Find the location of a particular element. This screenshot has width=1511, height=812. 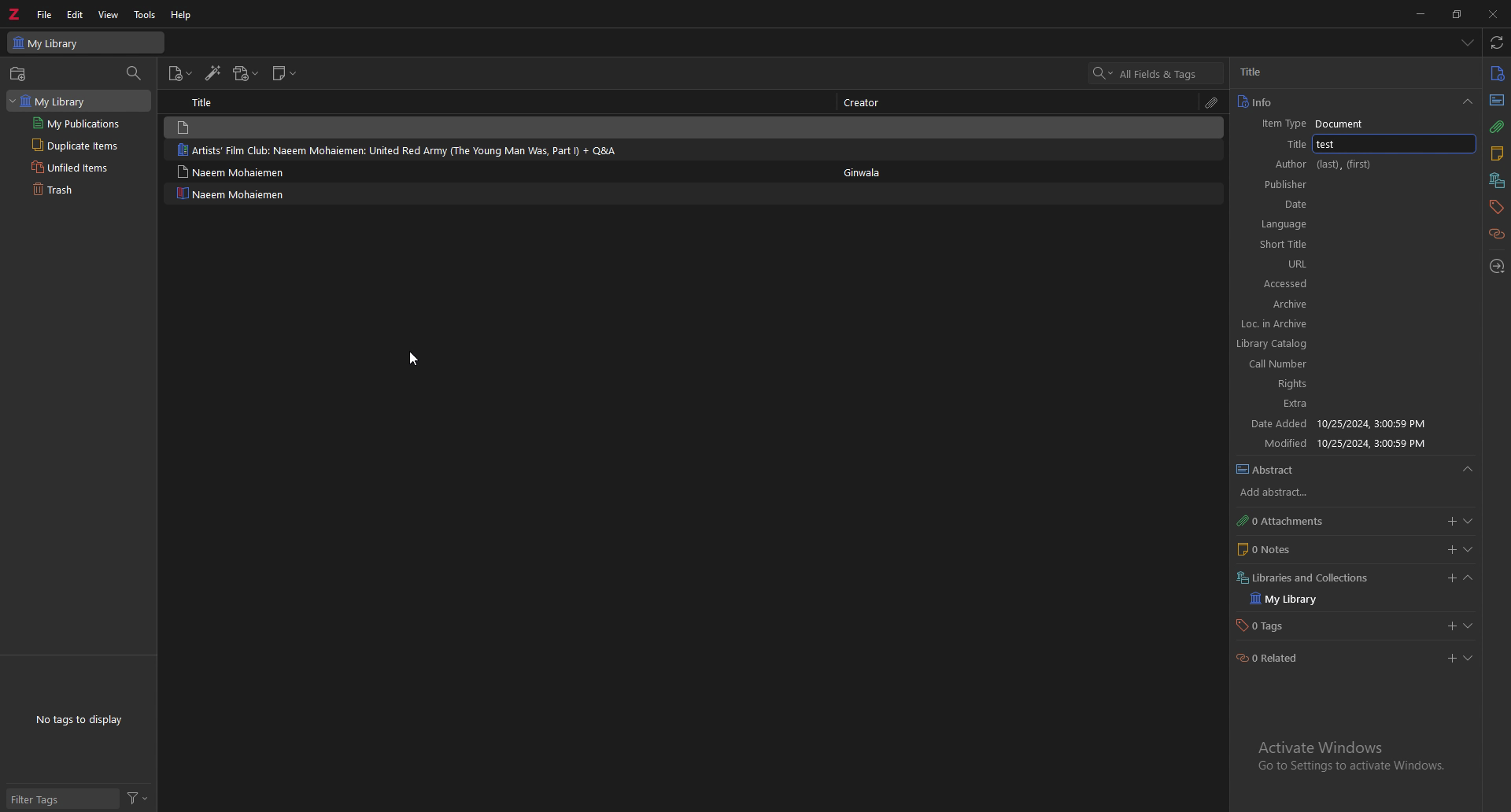

Filter tag is located at coordinates (42, 798).